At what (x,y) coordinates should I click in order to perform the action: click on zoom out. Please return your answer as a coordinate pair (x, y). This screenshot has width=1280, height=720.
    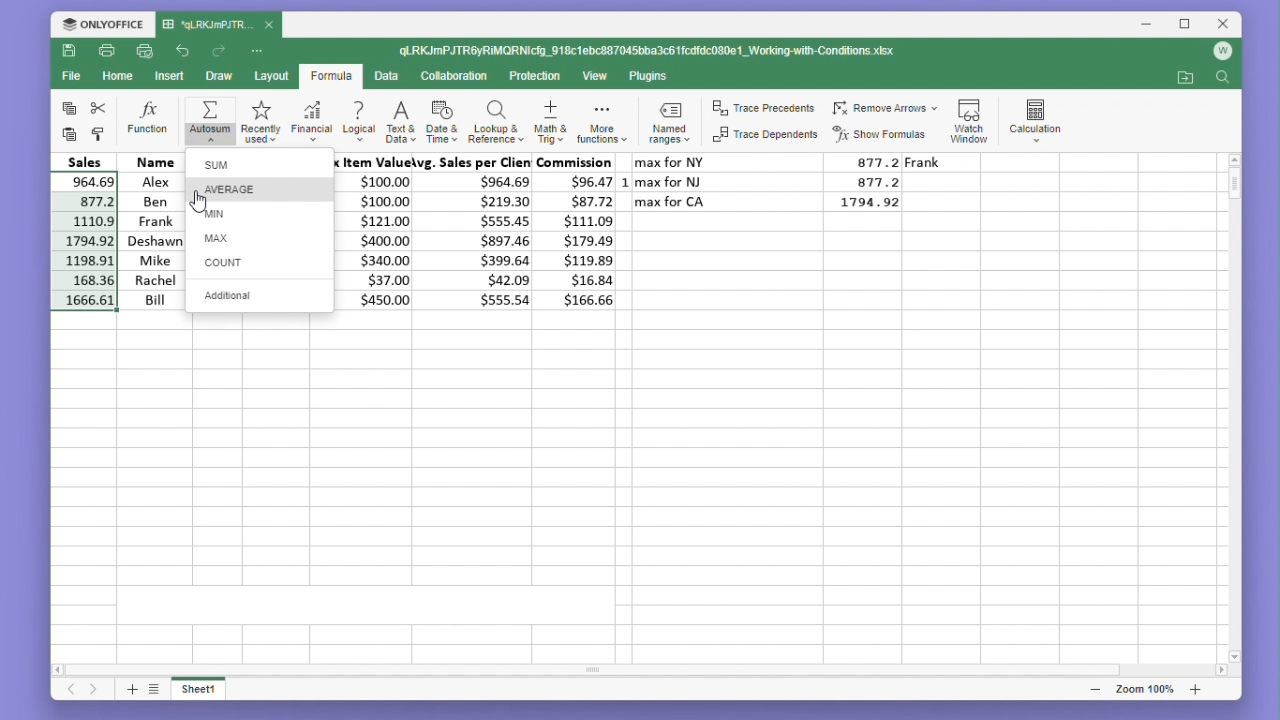
    Looking at the image, I should click on (1097, 690).